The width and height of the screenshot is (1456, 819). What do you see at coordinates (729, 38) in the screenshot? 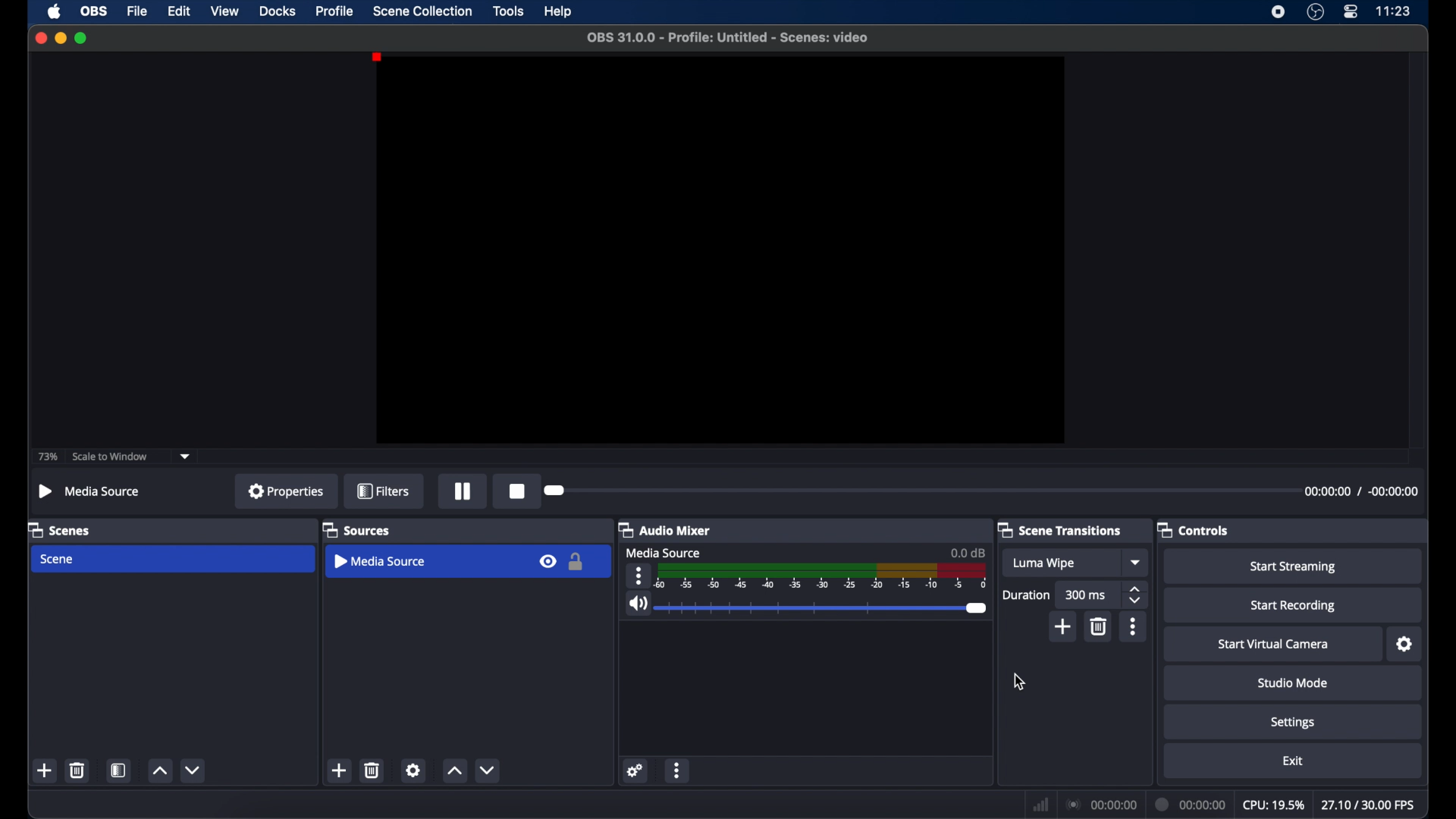
I see `file name` at bounding box center [729, 38].